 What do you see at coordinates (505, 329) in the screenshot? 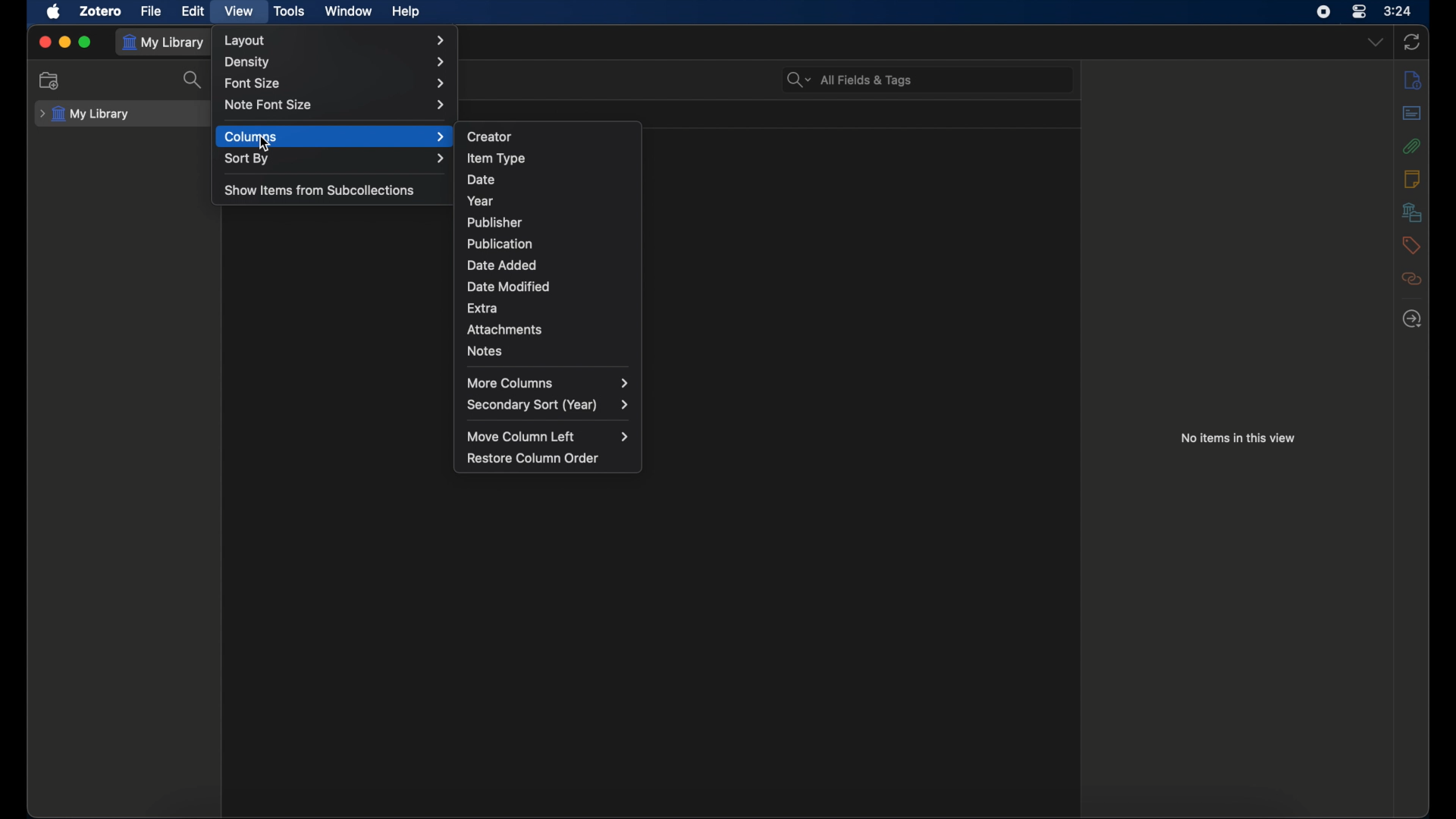
I see `attachments` at bounding box center [505, 329].